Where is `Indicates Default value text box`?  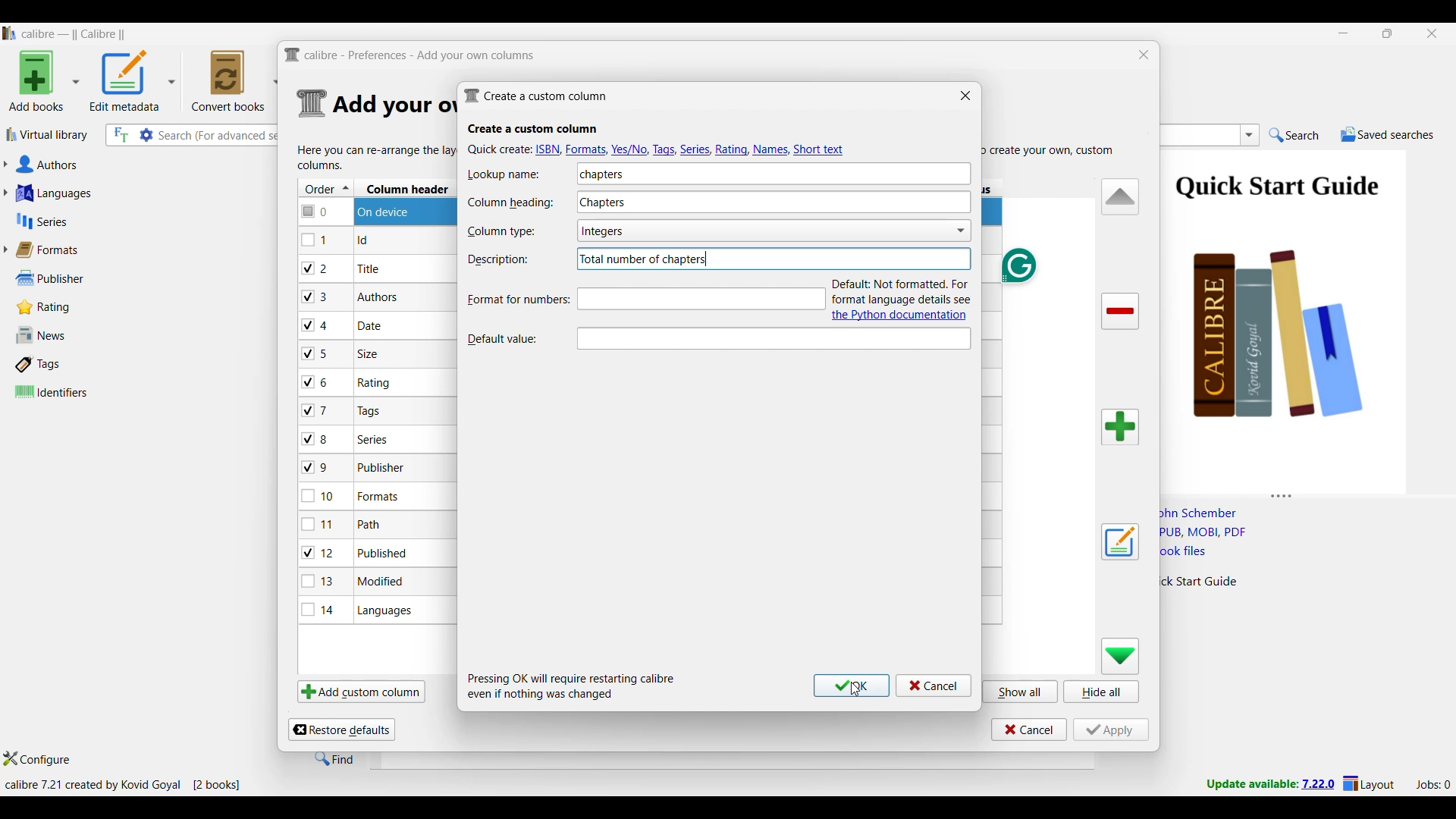
Indicates Default value text box is located at coordinates (510, 337).